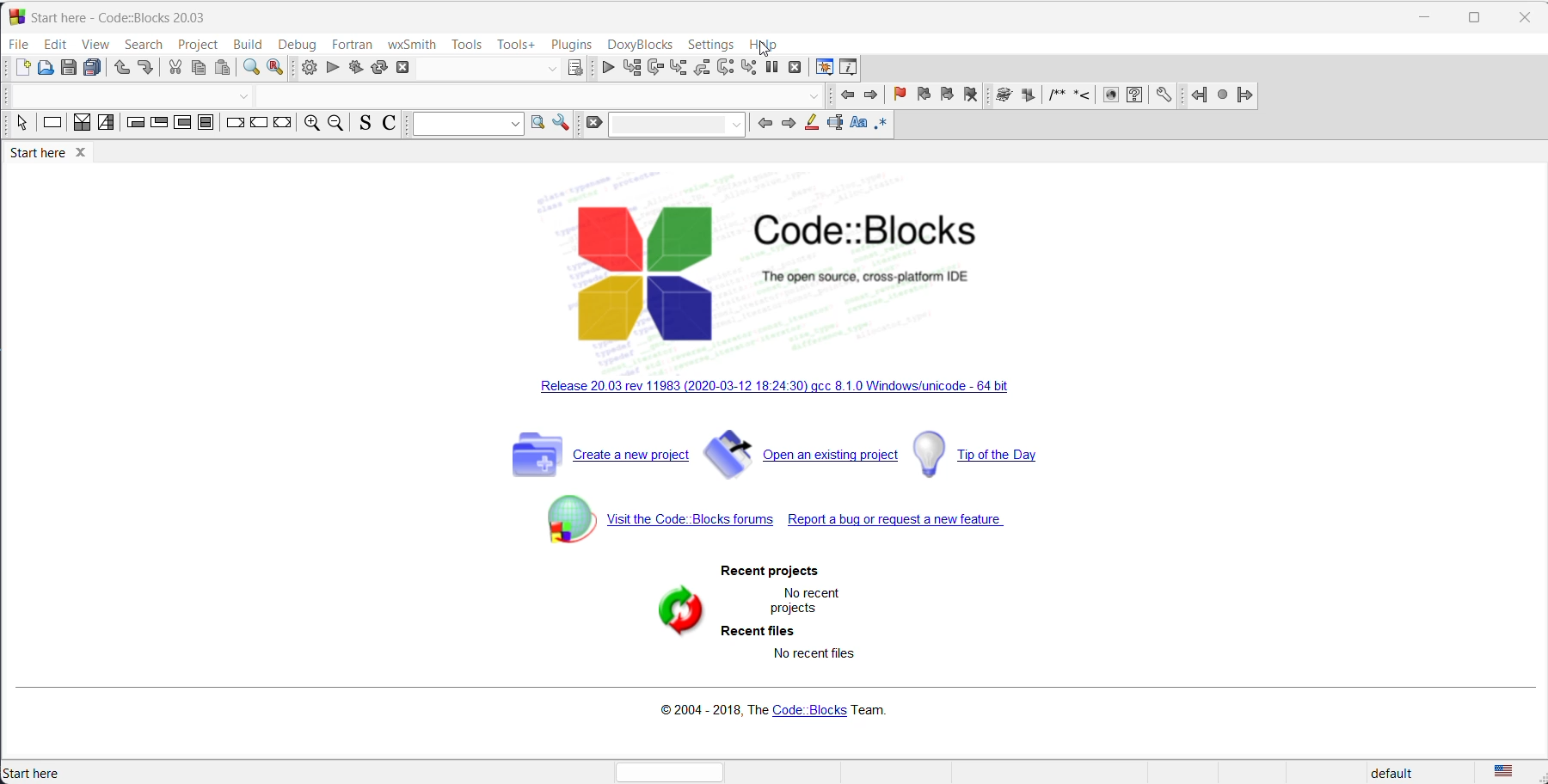  I want to click on dropdown, so click(243, 95).